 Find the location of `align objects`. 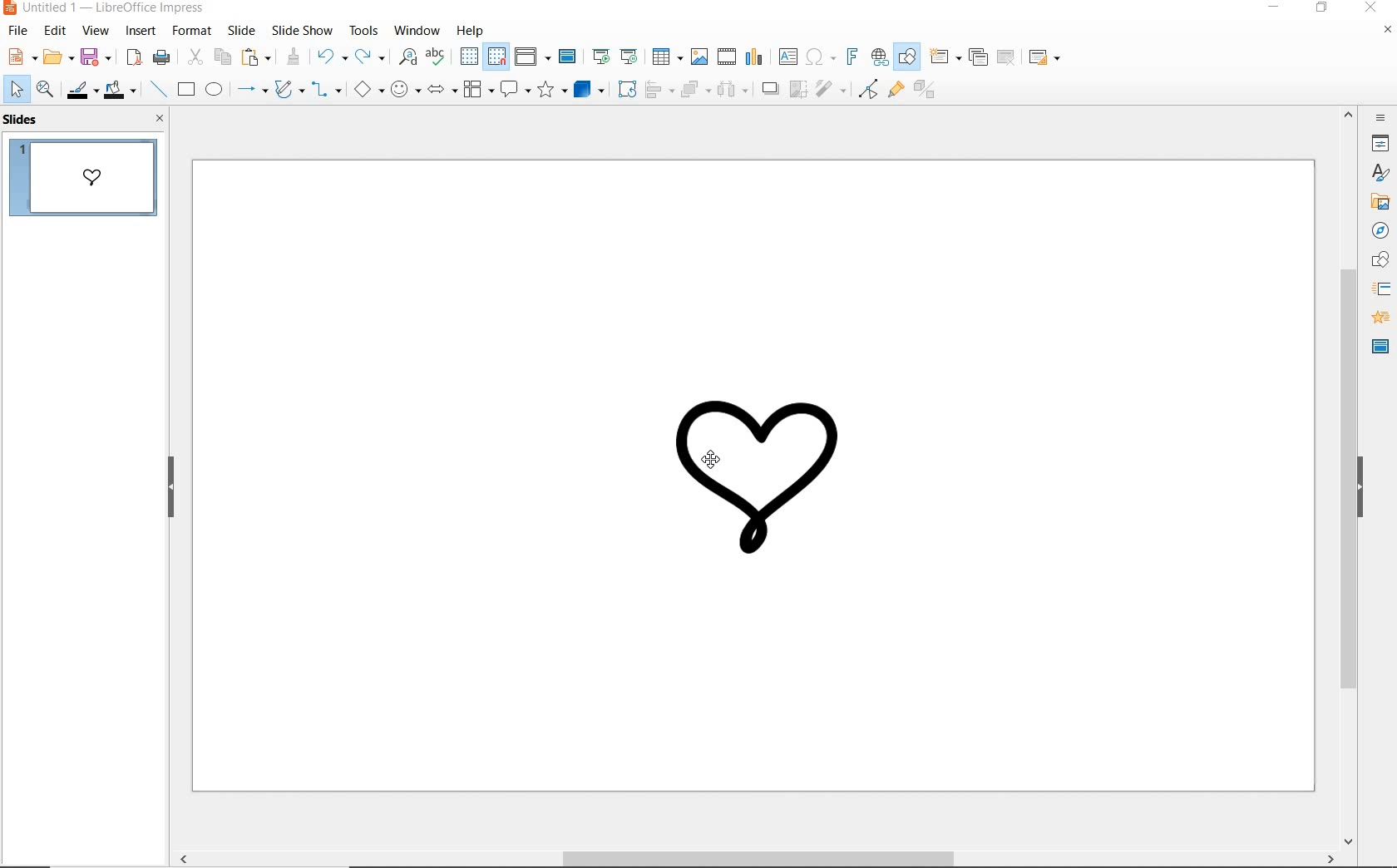

align objects is located at coordinates (658, 90).